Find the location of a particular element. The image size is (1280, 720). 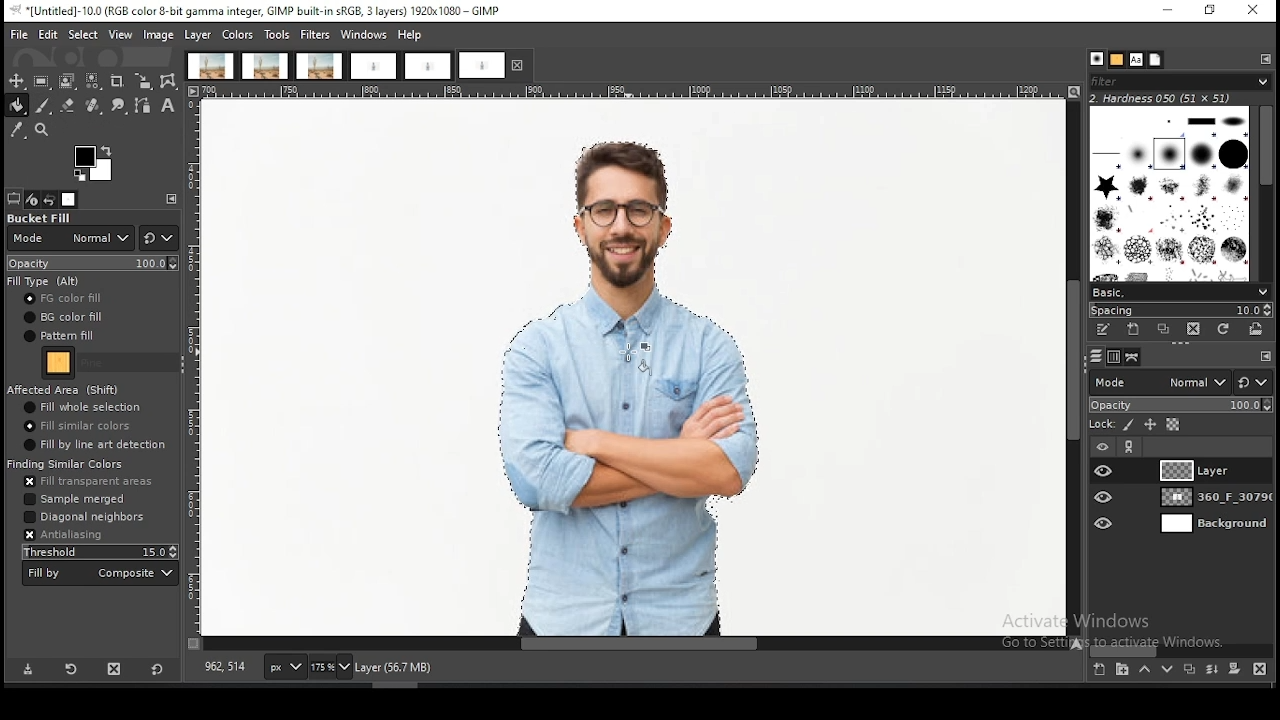

paths tool is located at coordinates (145, 107).